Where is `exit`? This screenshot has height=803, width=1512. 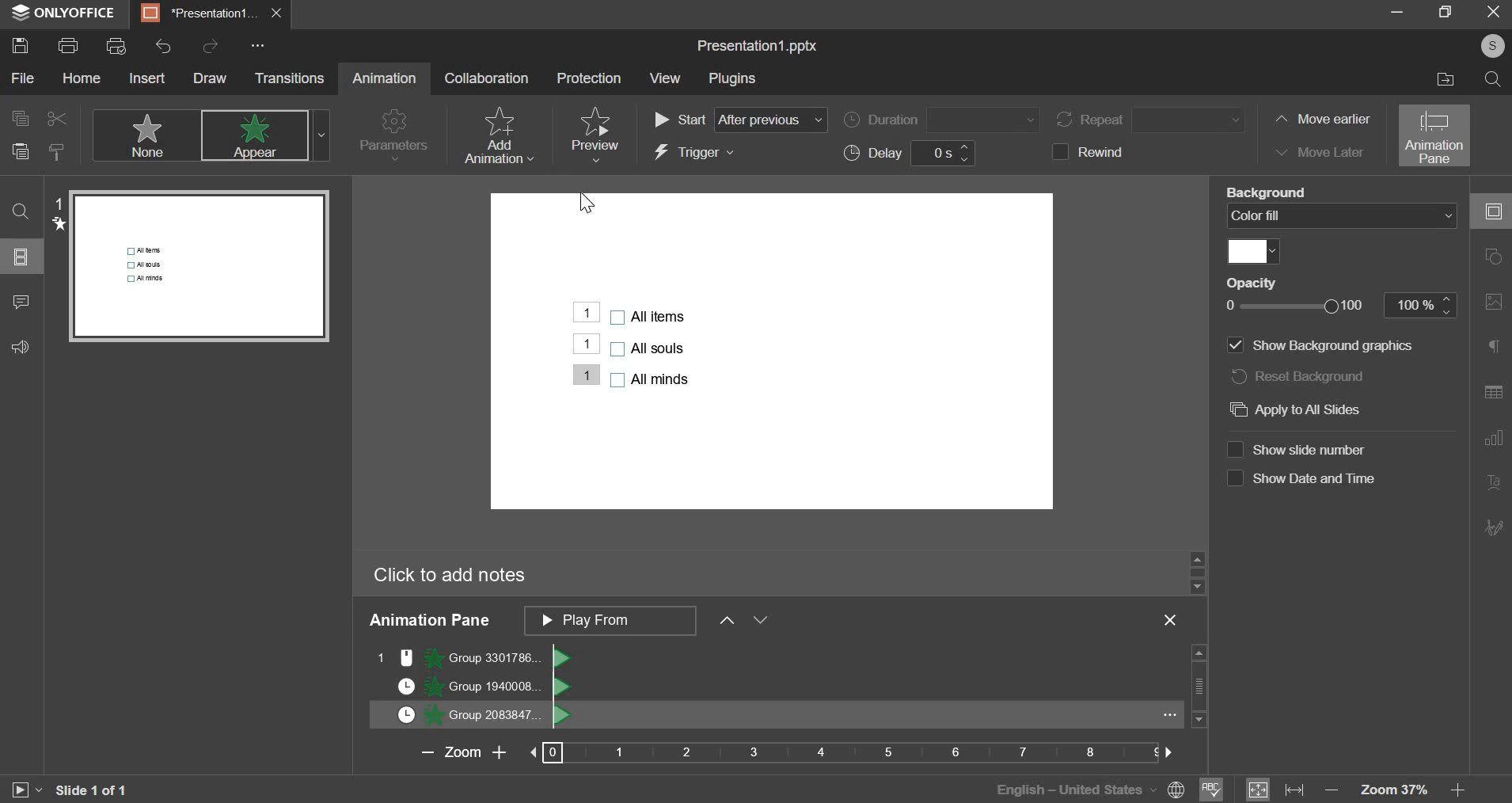
exit is located at coordinates (1170, 619).